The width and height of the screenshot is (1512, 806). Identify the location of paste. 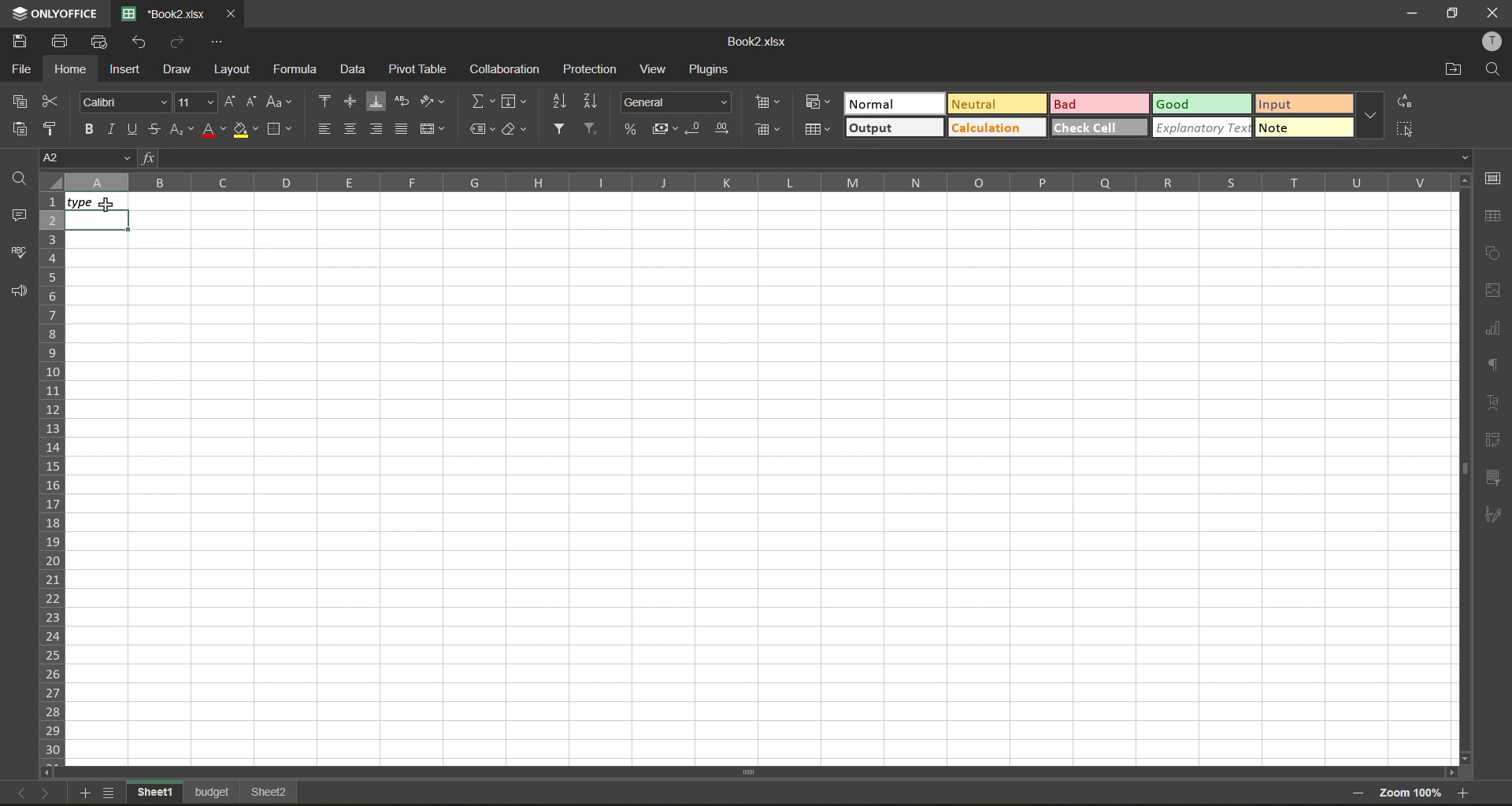
(24, 128).